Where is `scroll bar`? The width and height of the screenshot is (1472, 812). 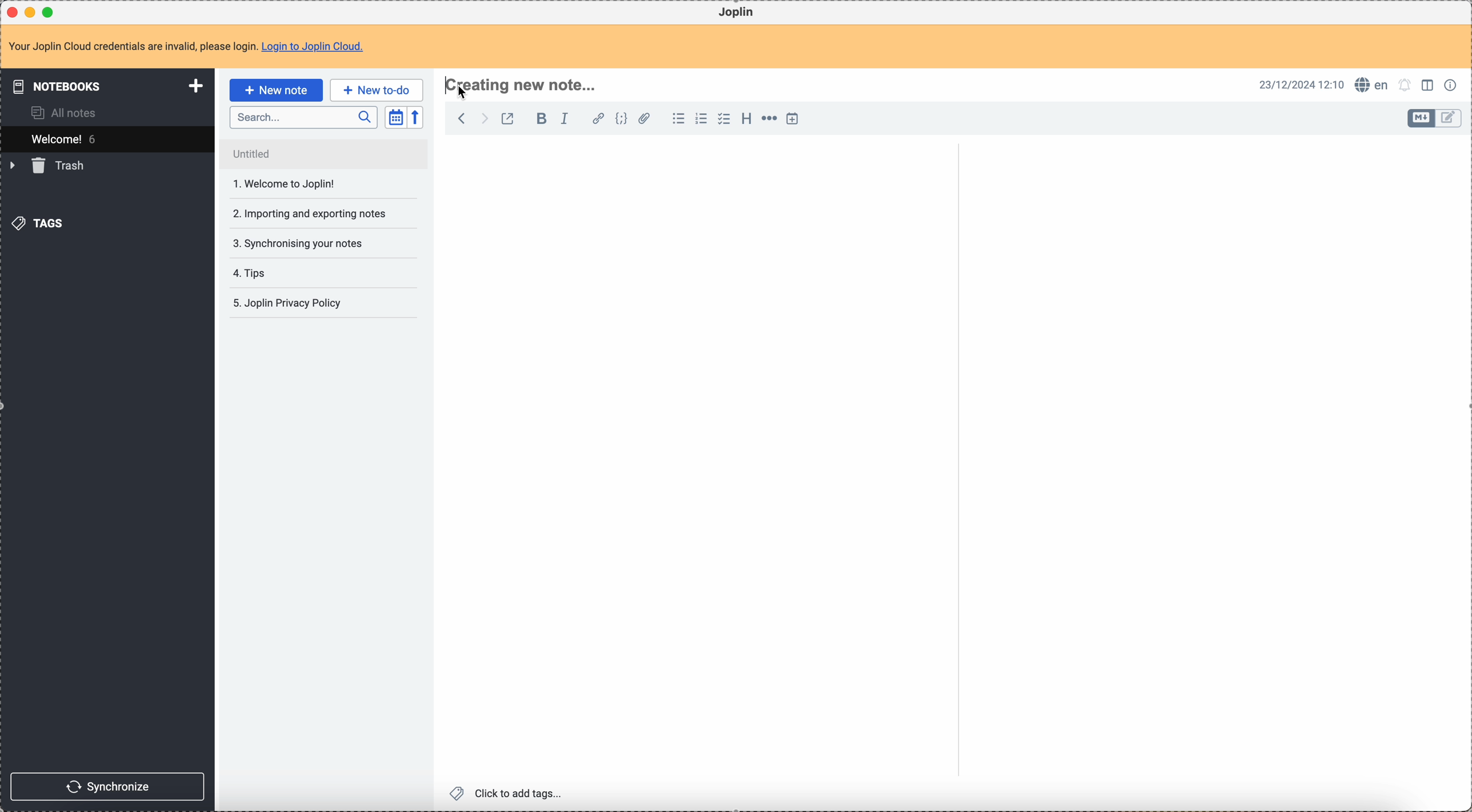
scroll bar is located at coordinates (954, 225).